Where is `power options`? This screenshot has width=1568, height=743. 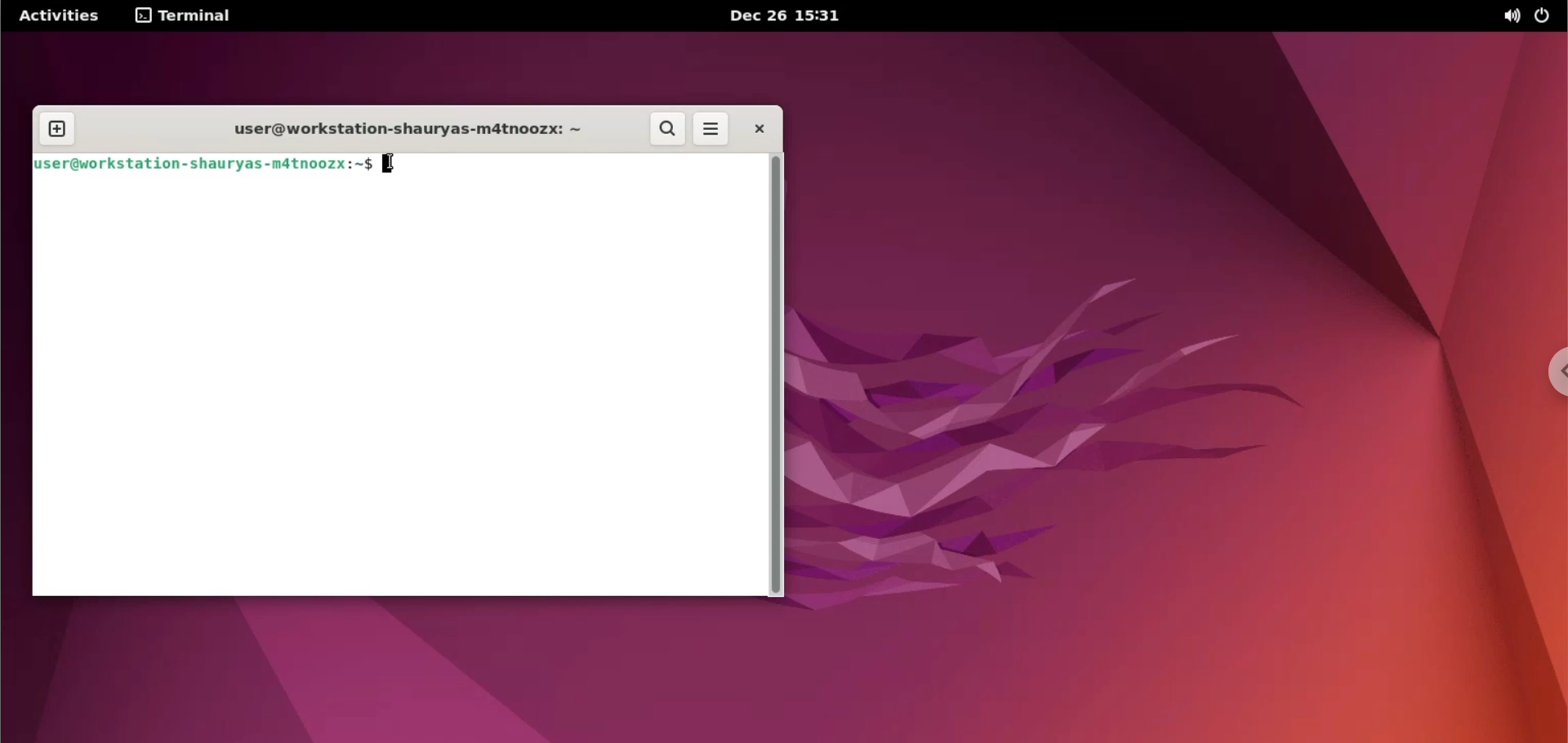 power options is located at coordinates (1546, 17).